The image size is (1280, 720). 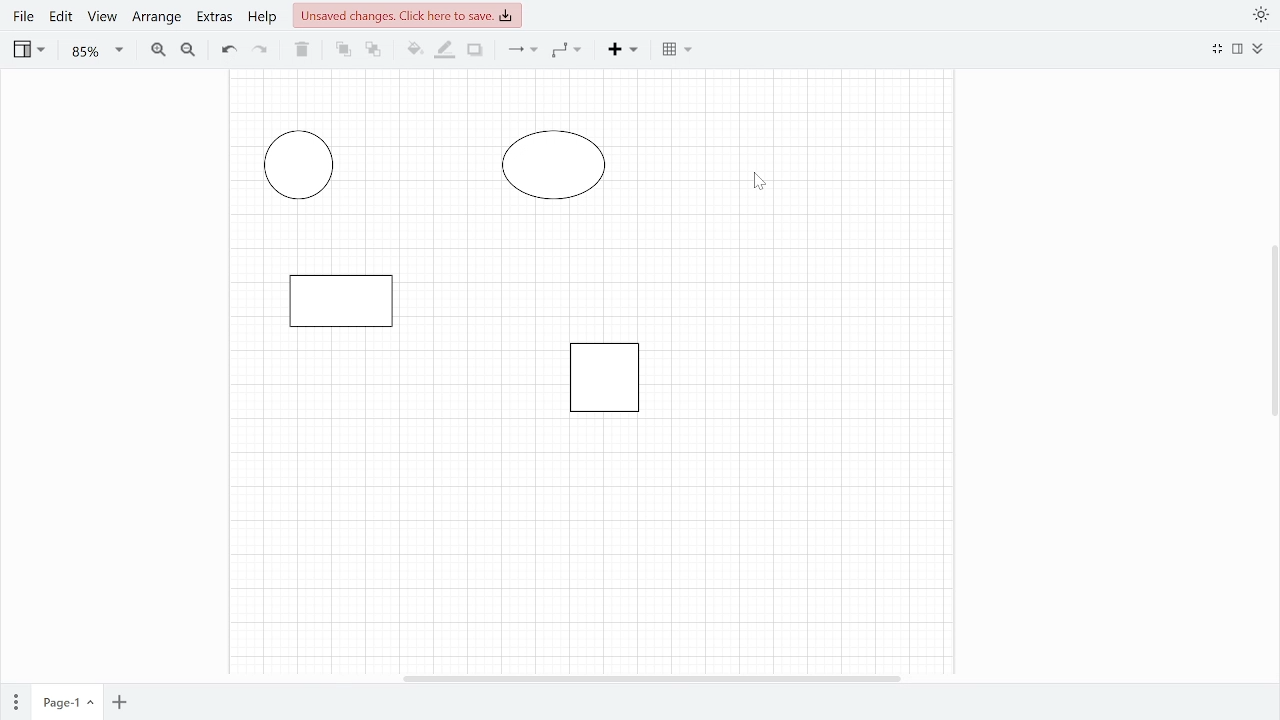 What do you see at coordinates (412, 49) in the screenshot?
I see `Fill color` at bounding box center [412, 49].